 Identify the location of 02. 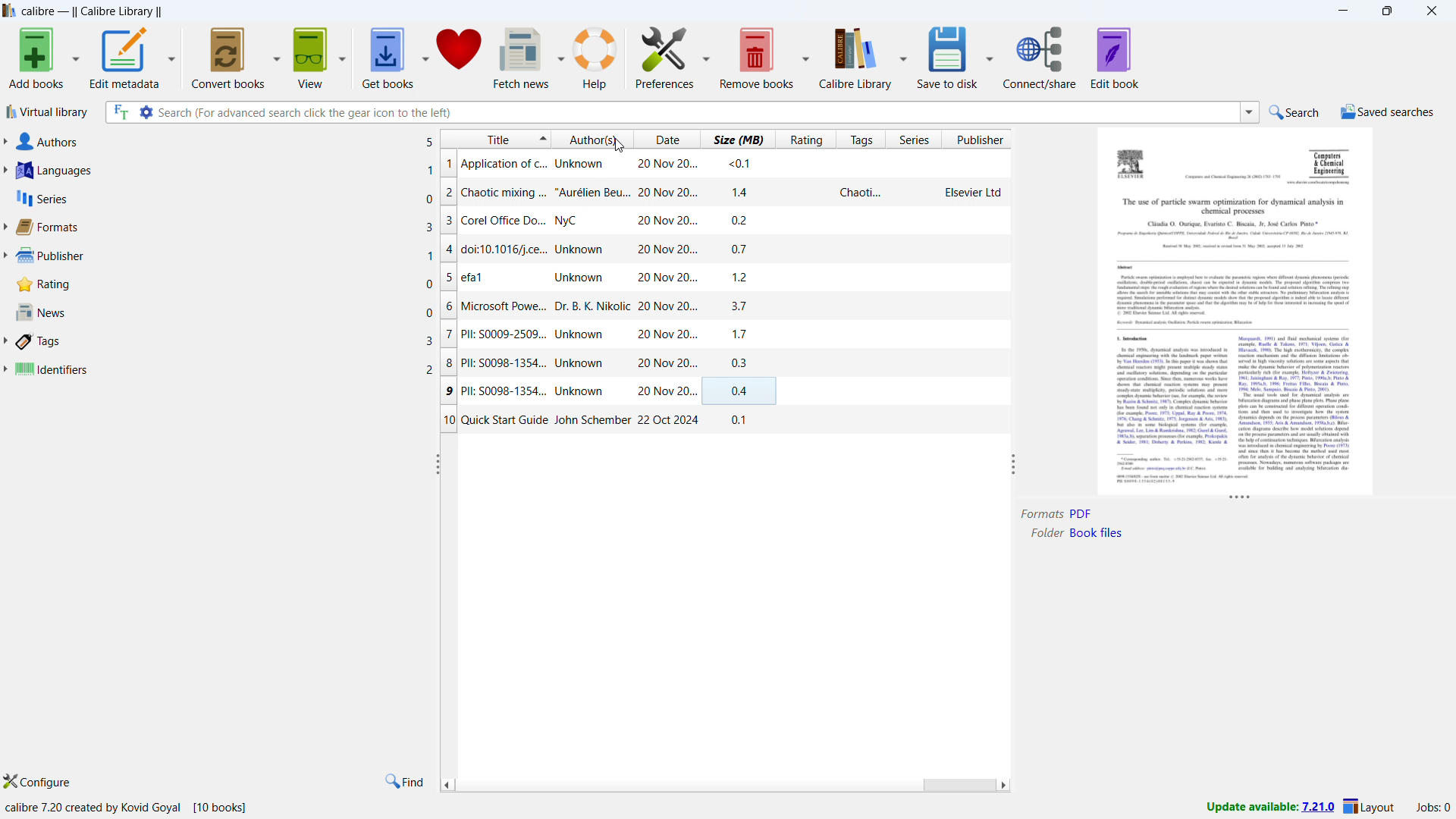
(744, 219).